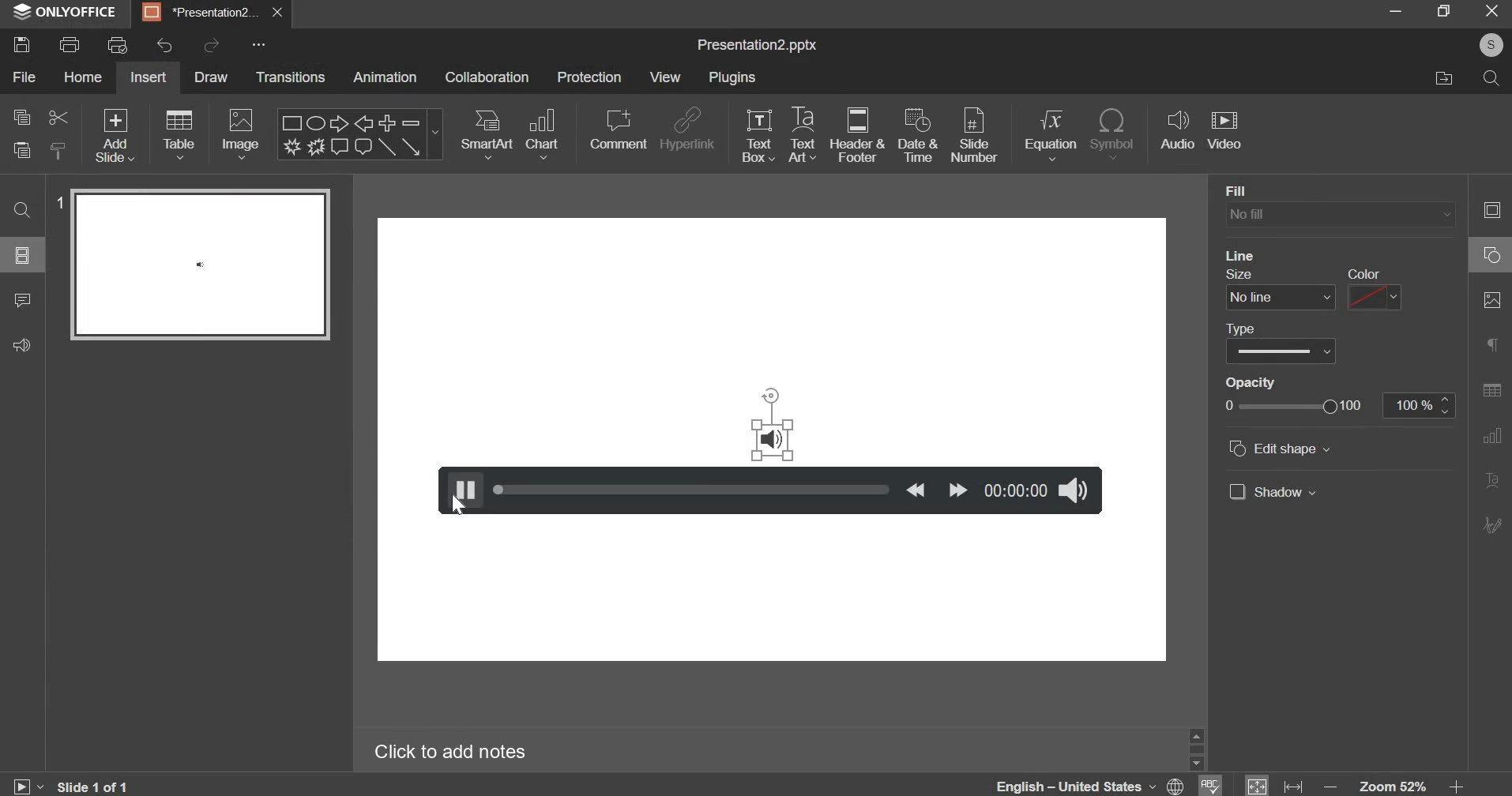  I want to click on color, so click(1363, 273).